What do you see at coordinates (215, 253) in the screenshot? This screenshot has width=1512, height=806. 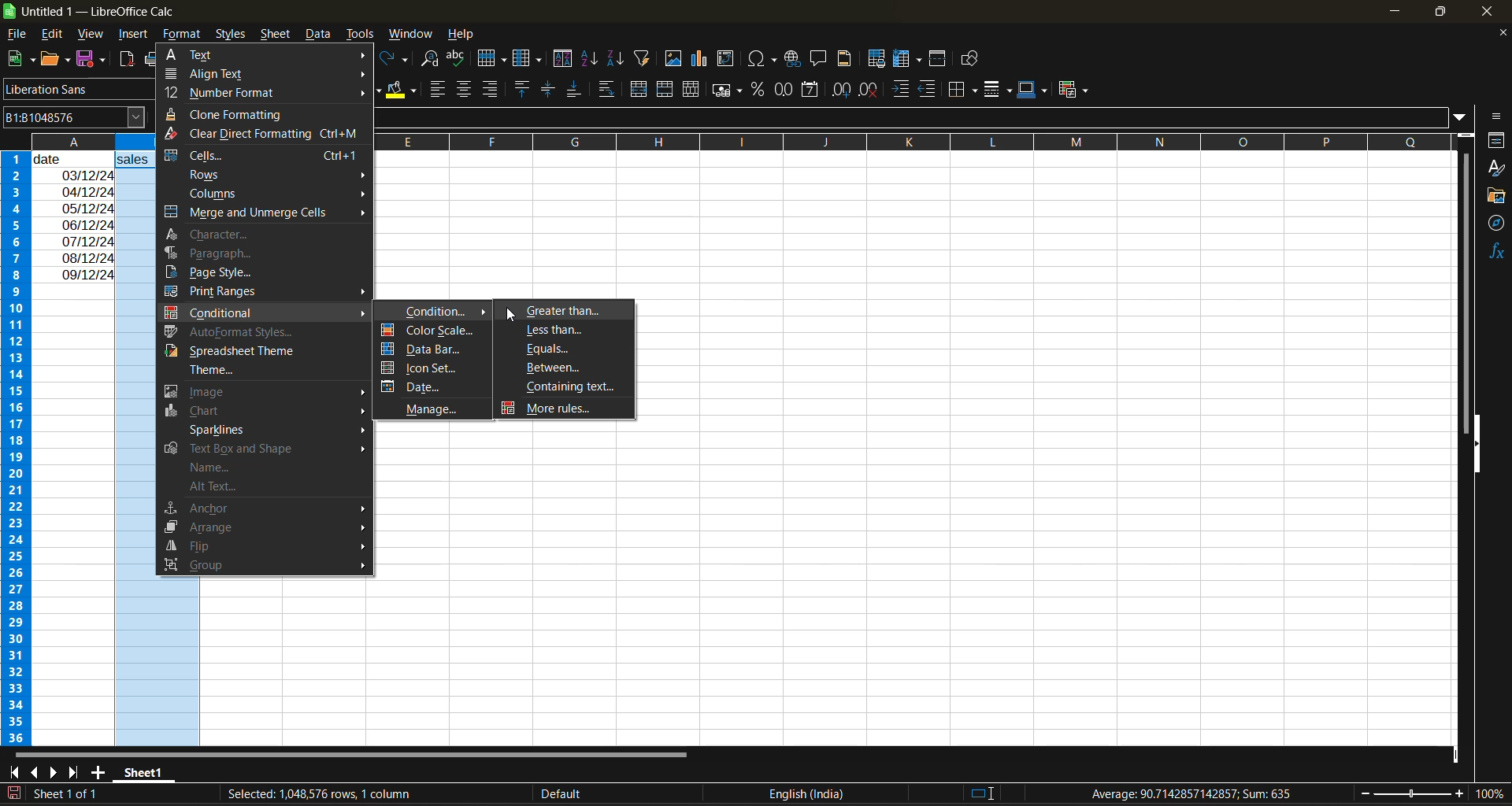 I see `paragraph` at bounding box center [215, 253].